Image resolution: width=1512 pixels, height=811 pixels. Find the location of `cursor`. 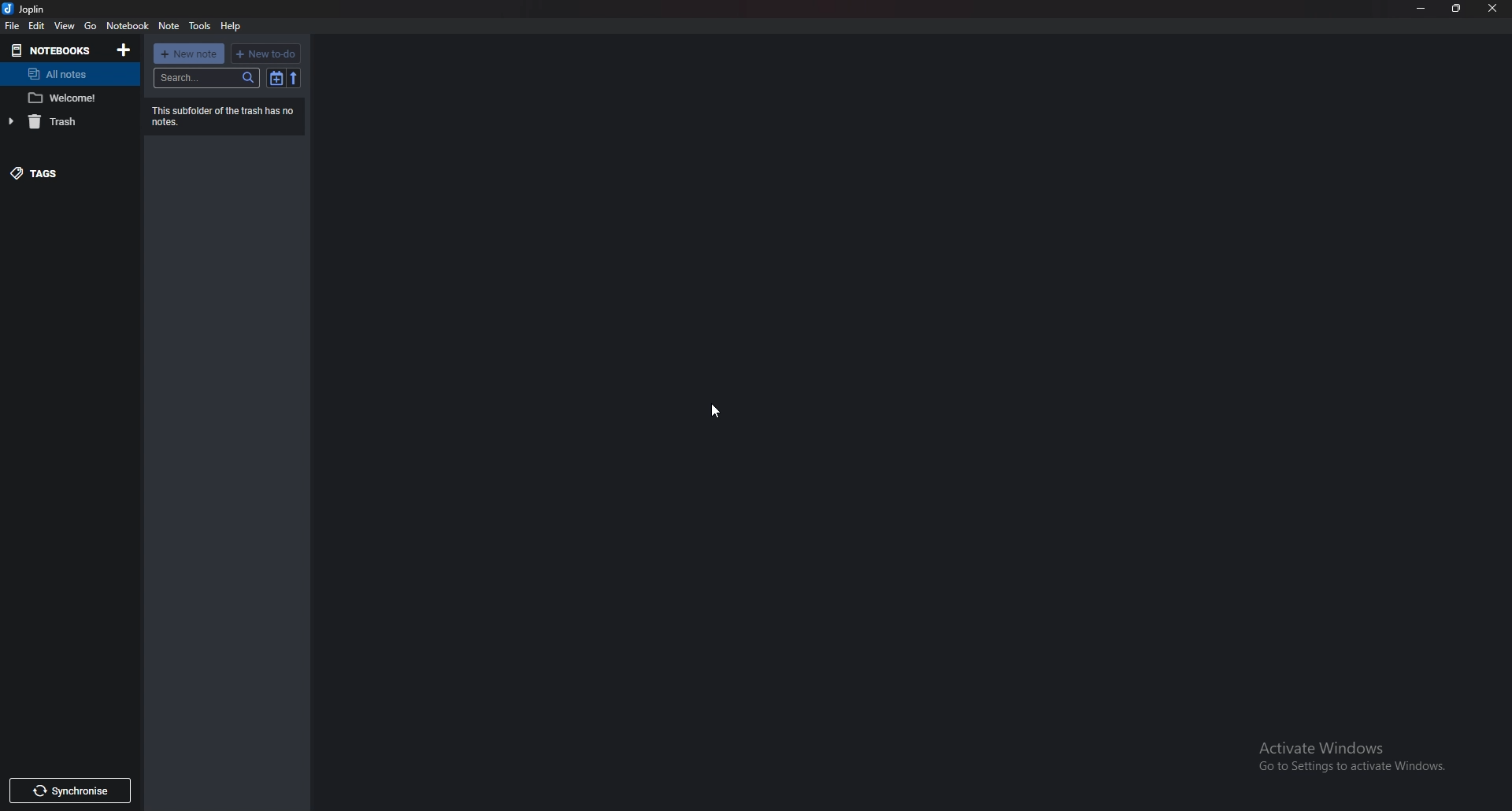

cursor is located at coordinates (714, 411).